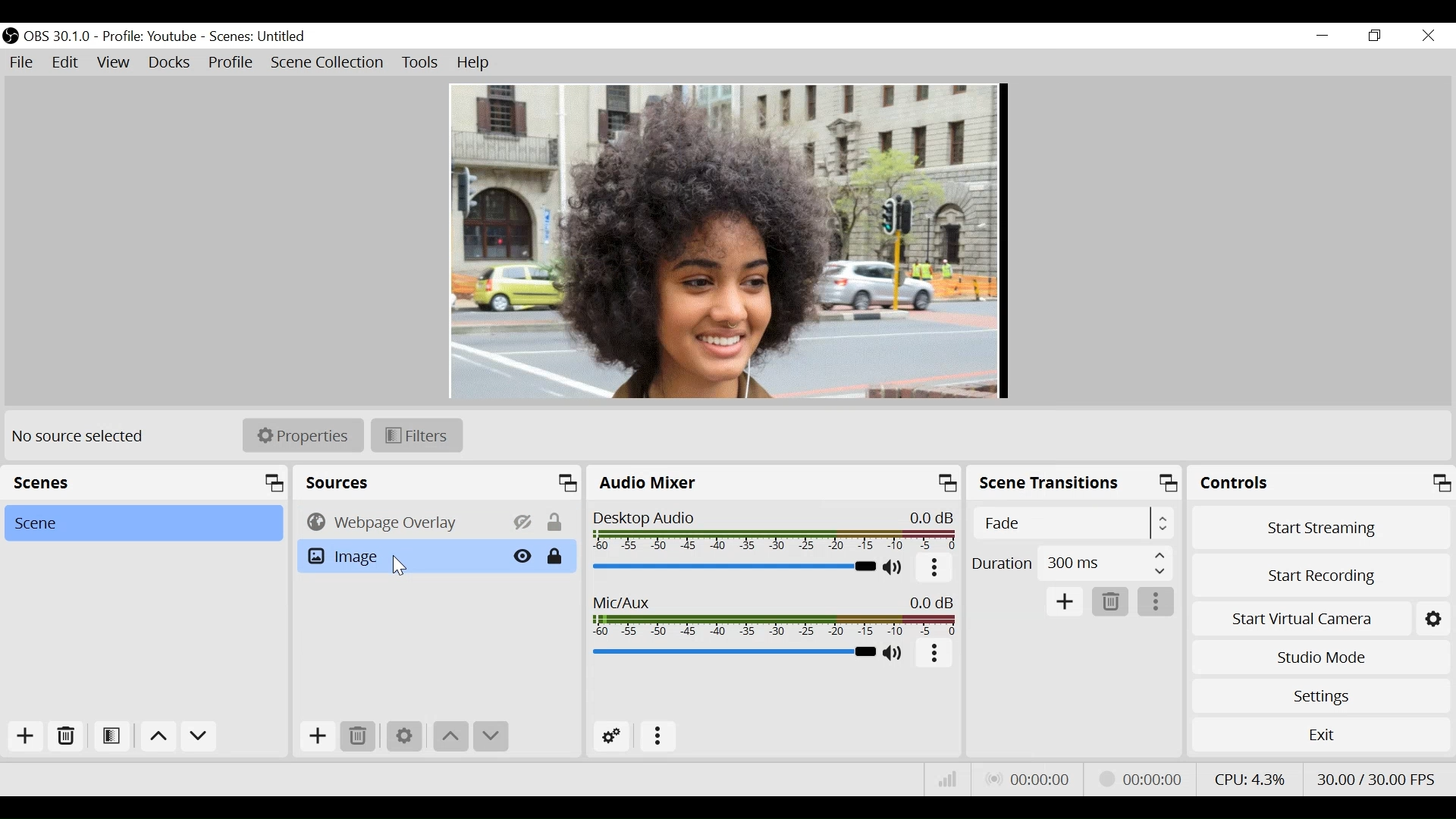 The height and width of the screenshot is (819, 1456). What do you see at coordinates (610, 738) in the screenshot?
I see `Advanced Audio Settings ` at bounding box center [610, 738].